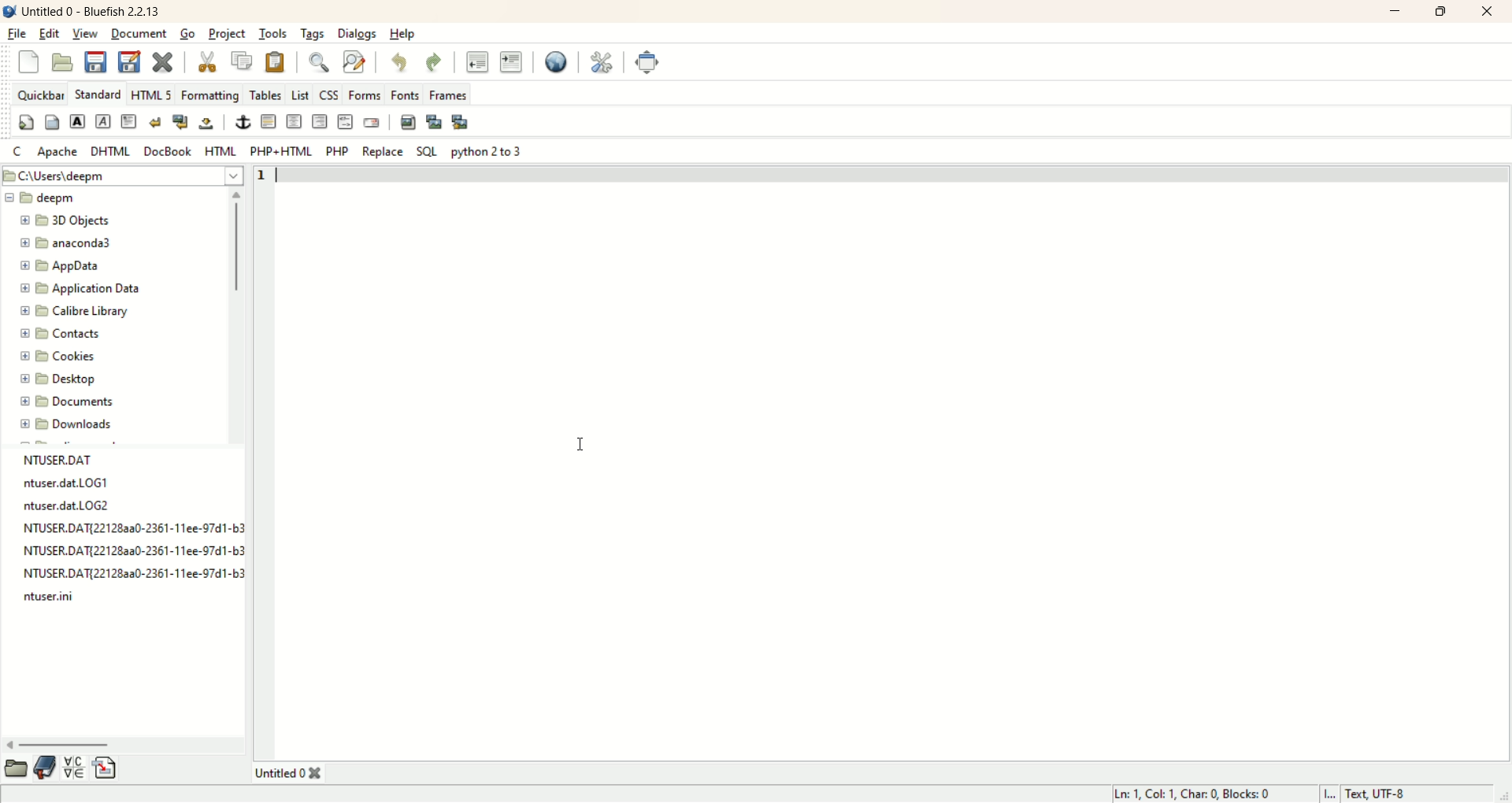 The image size is (1512, 803). Describe the element at coordinates (60, 358) in the screenshot. I see `cookies` at that location.